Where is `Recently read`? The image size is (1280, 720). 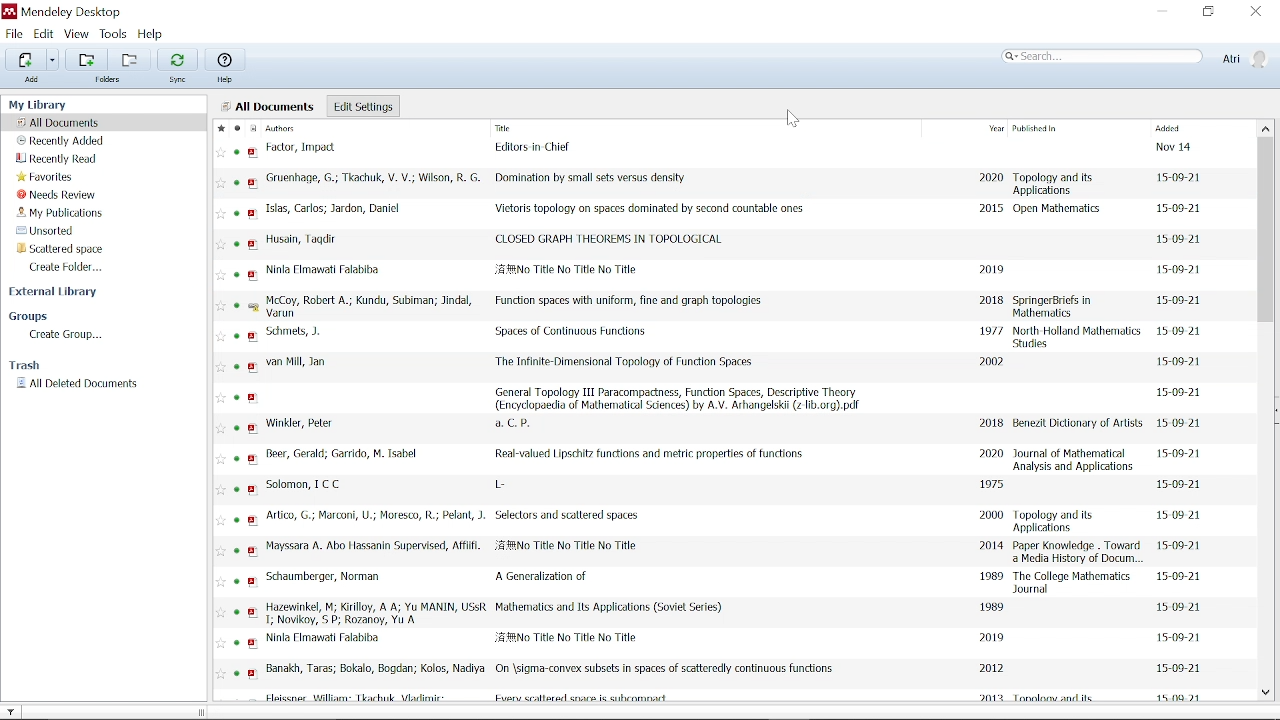 Recently read is located at coordinates (59, 158).